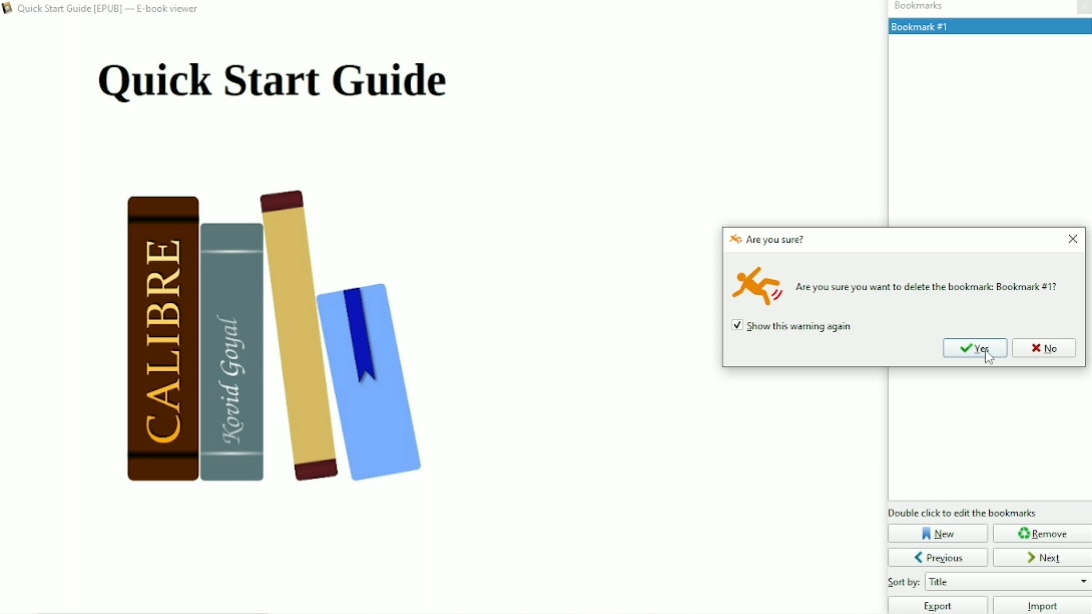  Describe the element at coordinates (905, 583) in the screenshot. I see `` at that location.